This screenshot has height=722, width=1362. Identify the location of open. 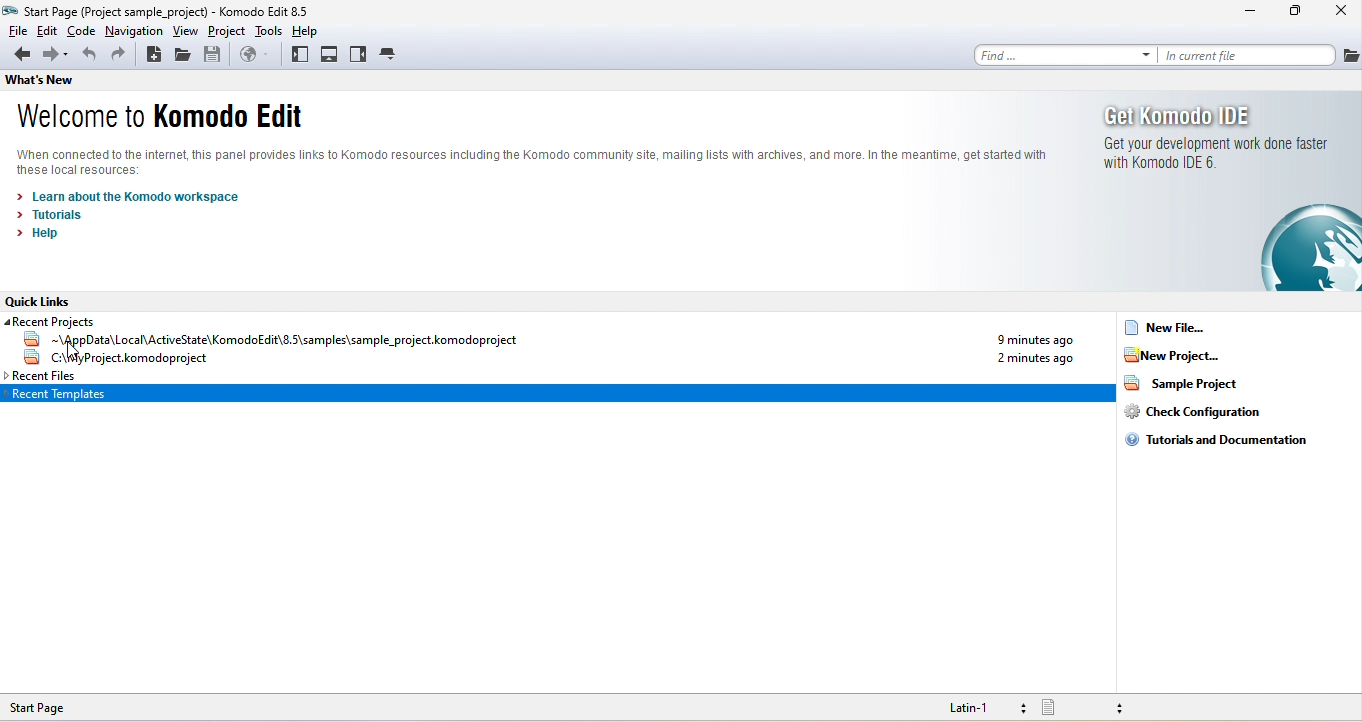
(183, 56).